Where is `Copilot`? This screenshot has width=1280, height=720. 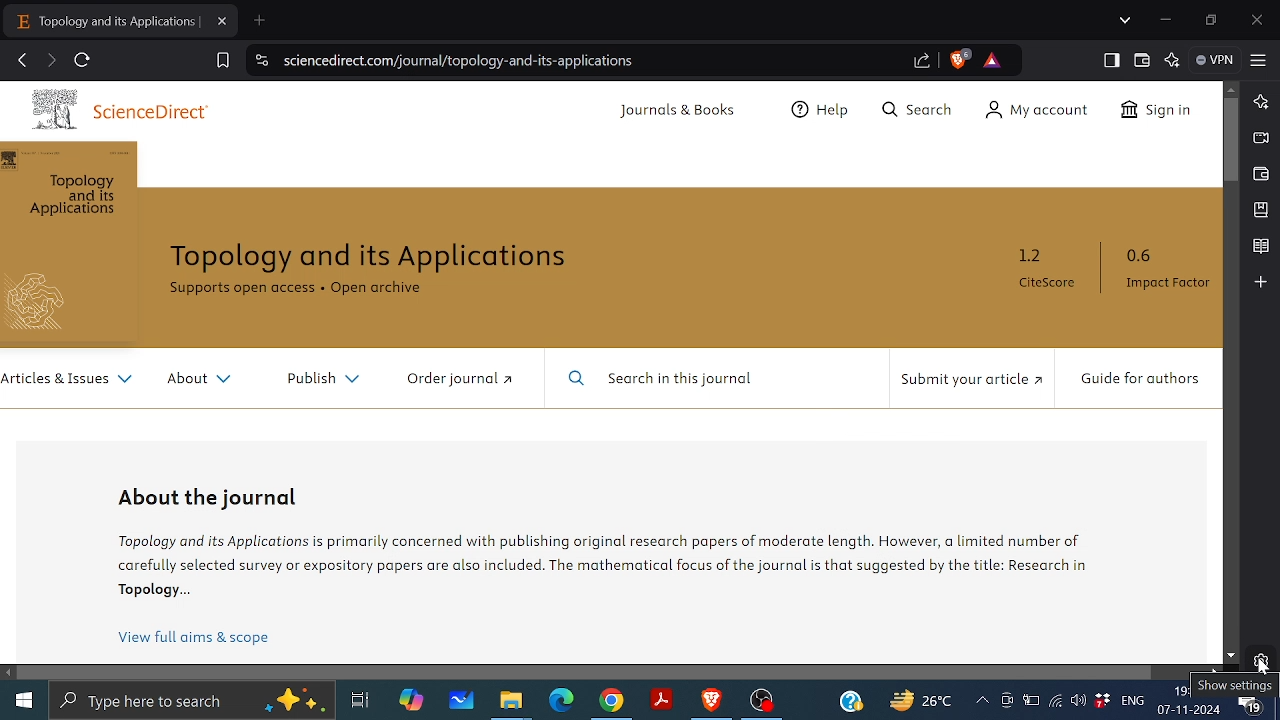 Copilot is located at coordinates (409, 699).